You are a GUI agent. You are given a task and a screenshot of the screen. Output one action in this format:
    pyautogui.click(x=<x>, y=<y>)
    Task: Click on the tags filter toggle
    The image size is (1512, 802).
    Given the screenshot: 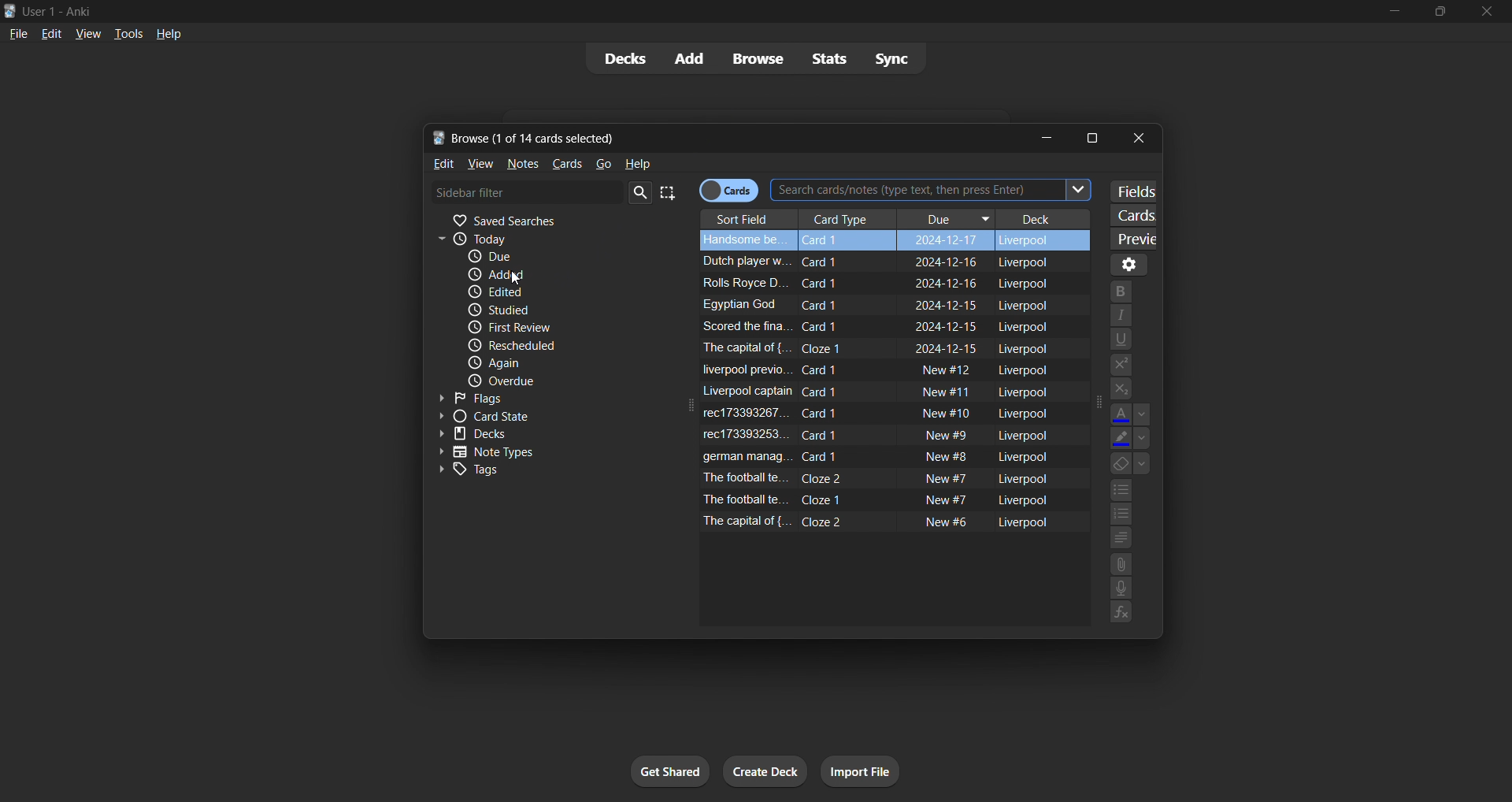 What is the action you would take?
    pyautogui.click(x=547, y=471)
    